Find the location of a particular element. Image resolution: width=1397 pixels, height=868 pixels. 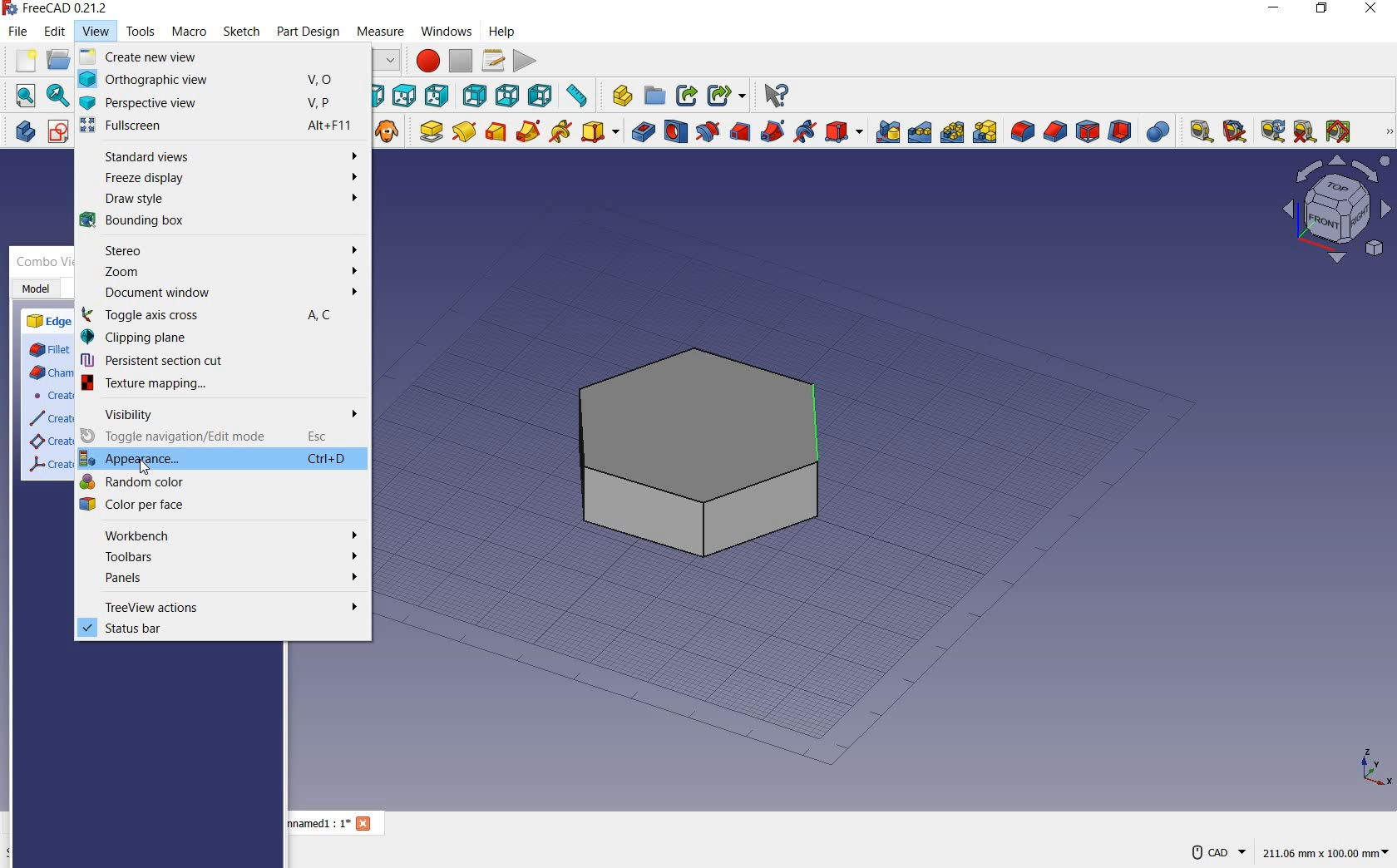

measure angular is located at coordinates (1236, 133).